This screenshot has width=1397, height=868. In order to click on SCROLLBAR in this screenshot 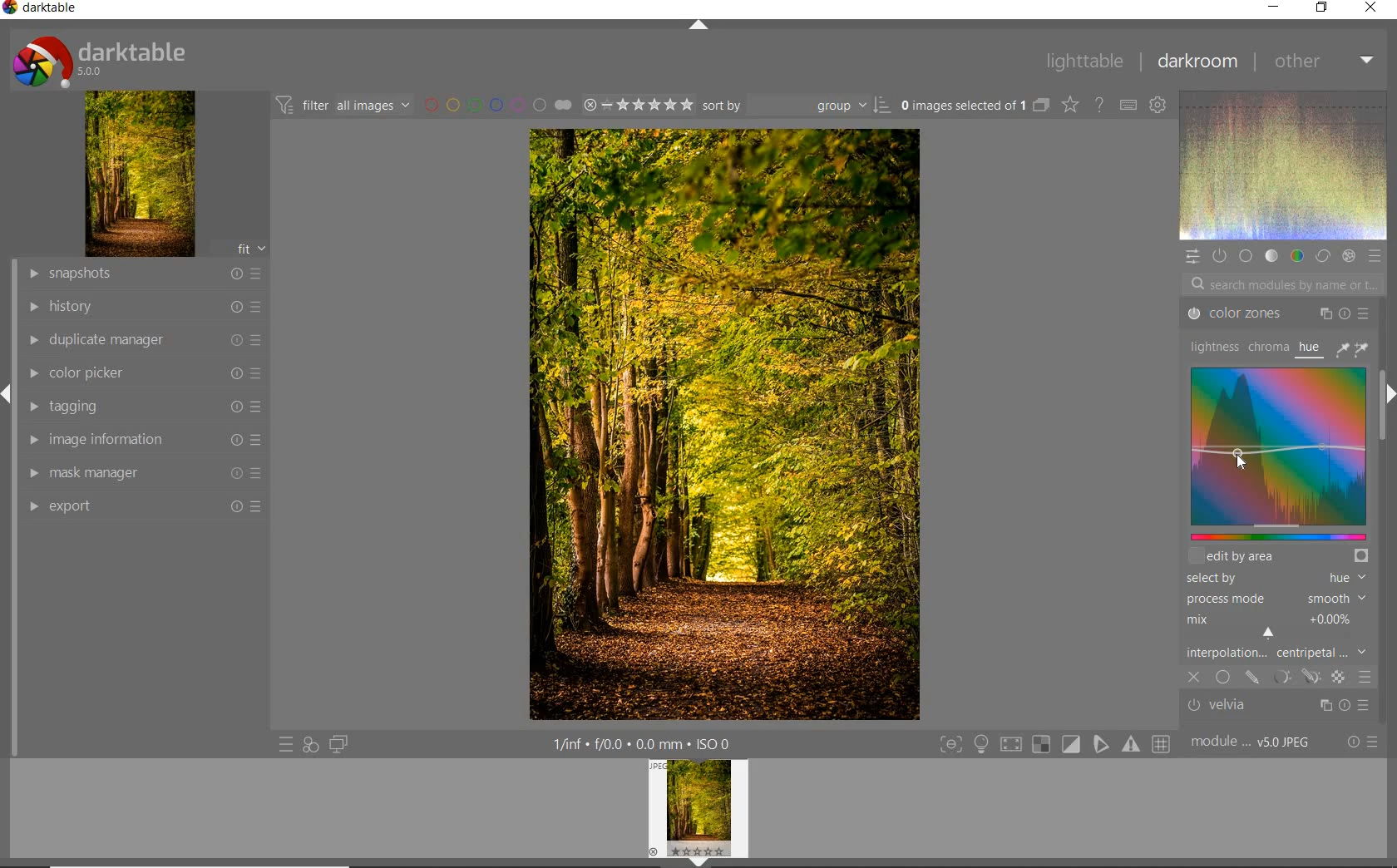, I will do `click(1386, 427)`.